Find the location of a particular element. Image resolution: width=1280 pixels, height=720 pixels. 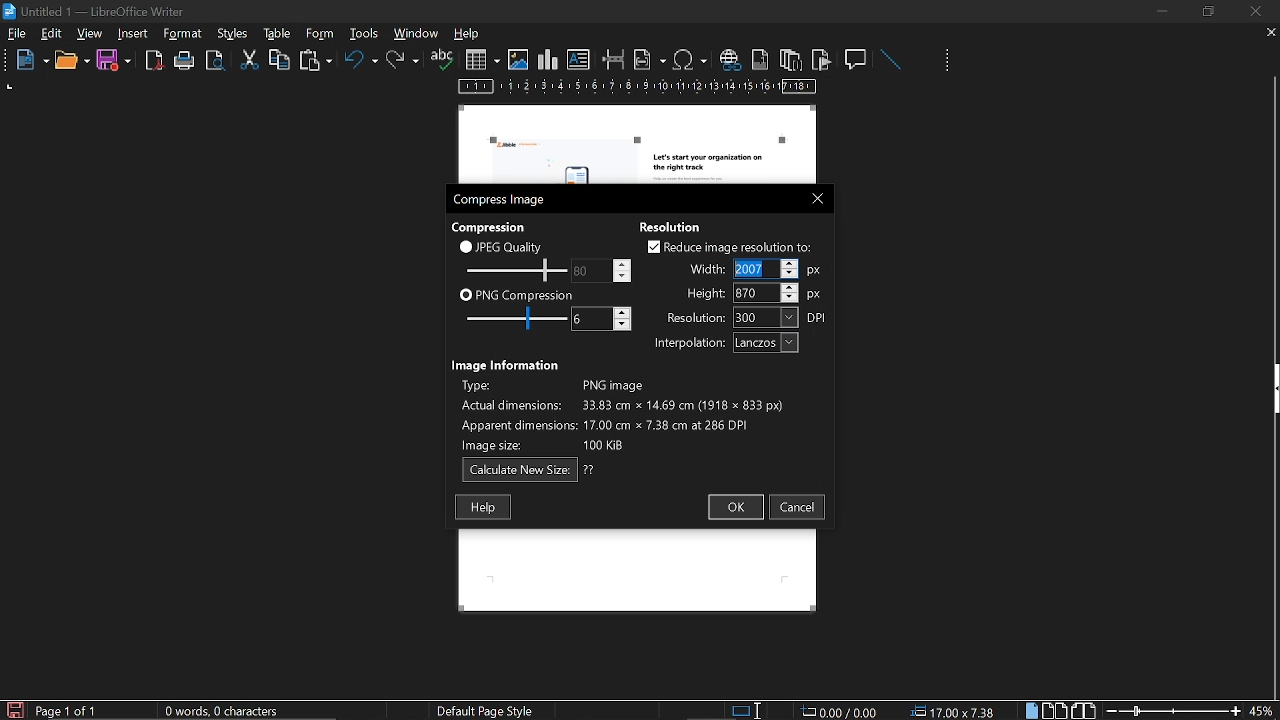

calculate new size is located at coordinates (529, 470).